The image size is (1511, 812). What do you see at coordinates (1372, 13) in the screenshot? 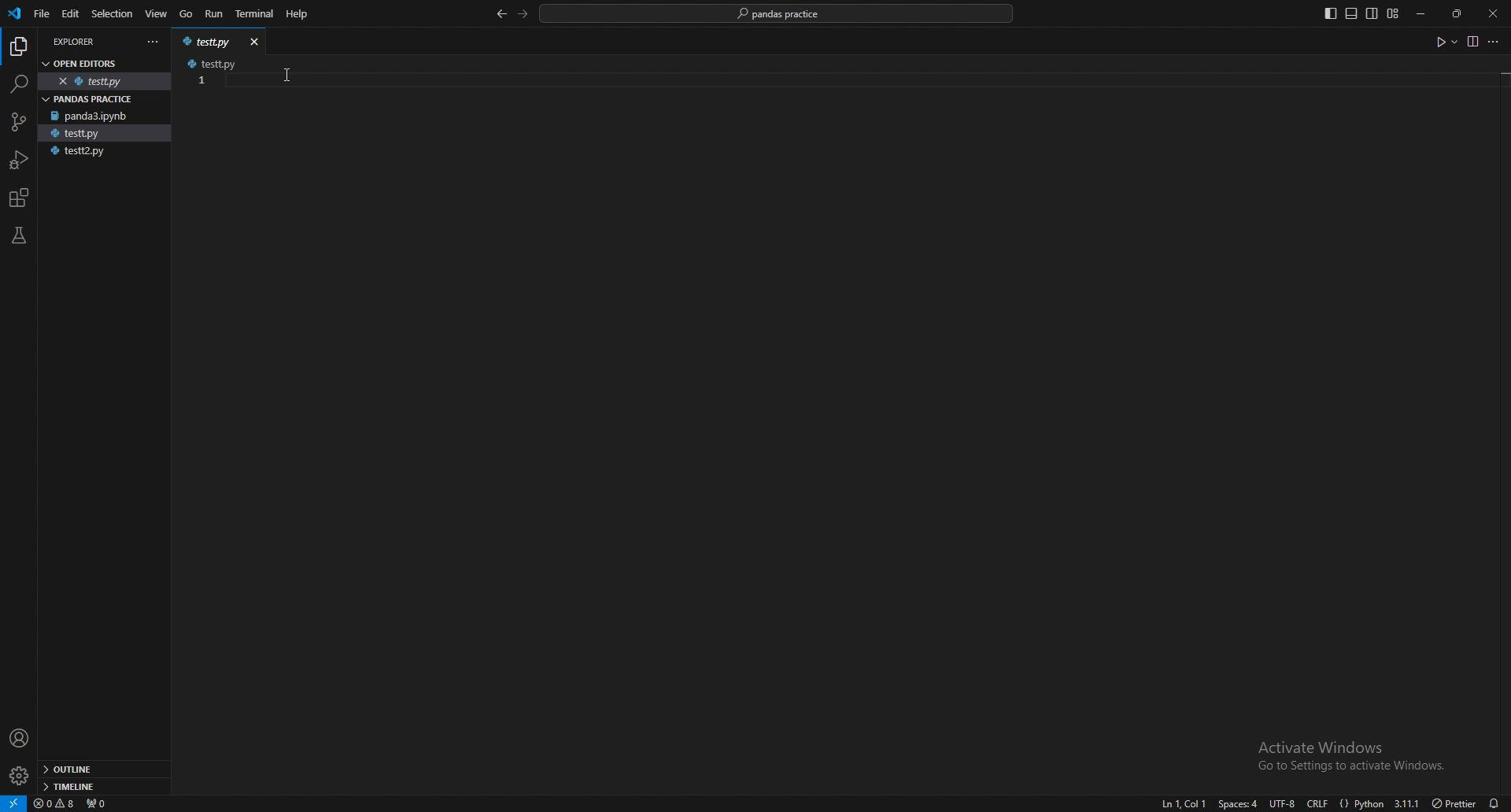
I see `toggle secondary side bar` at bounding box center [1372, 13].